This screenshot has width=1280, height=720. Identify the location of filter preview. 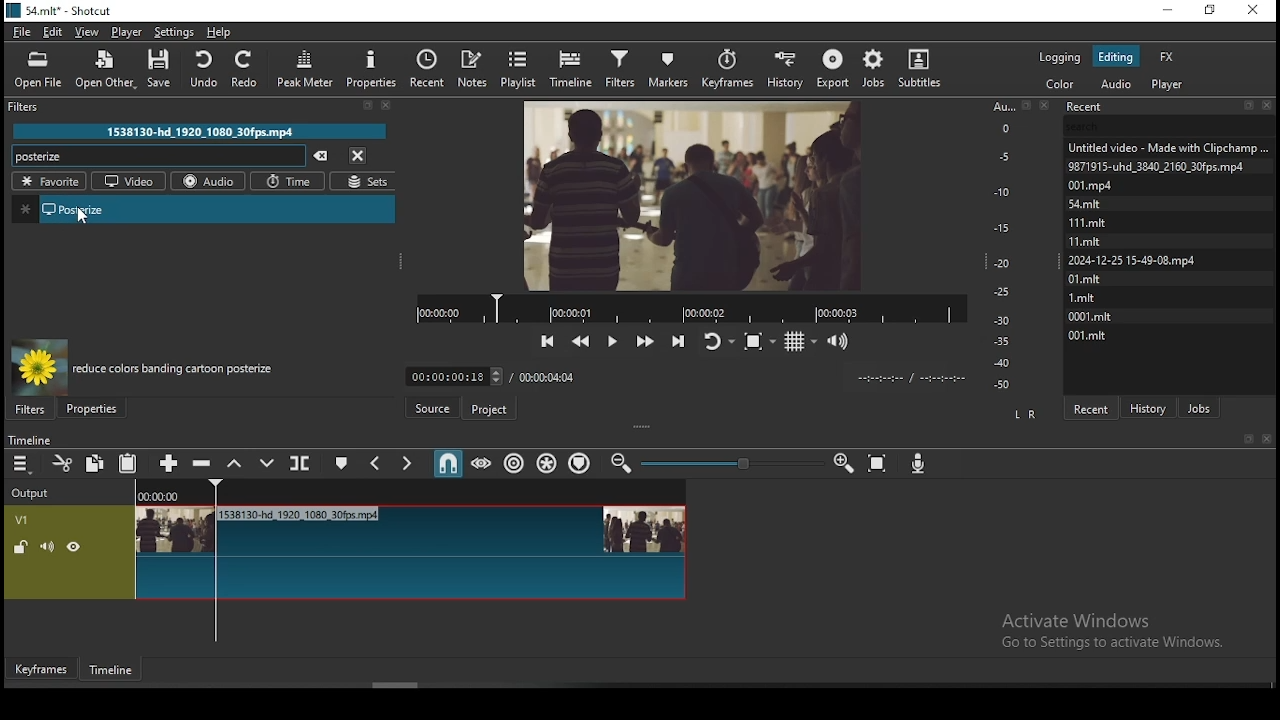
(39, 366).